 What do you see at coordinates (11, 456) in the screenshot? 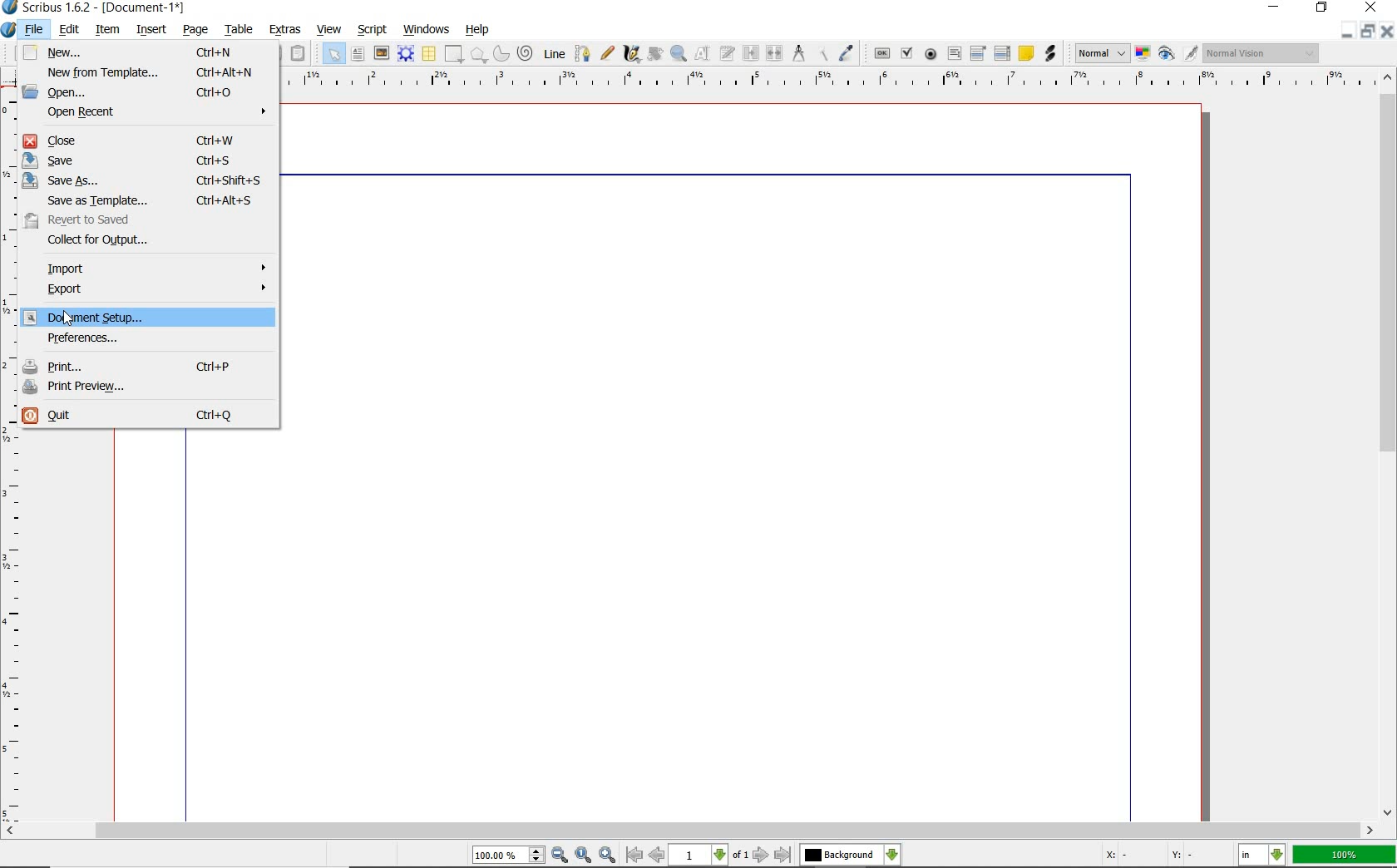
I see `ruler` at bounding box center [11, 456].